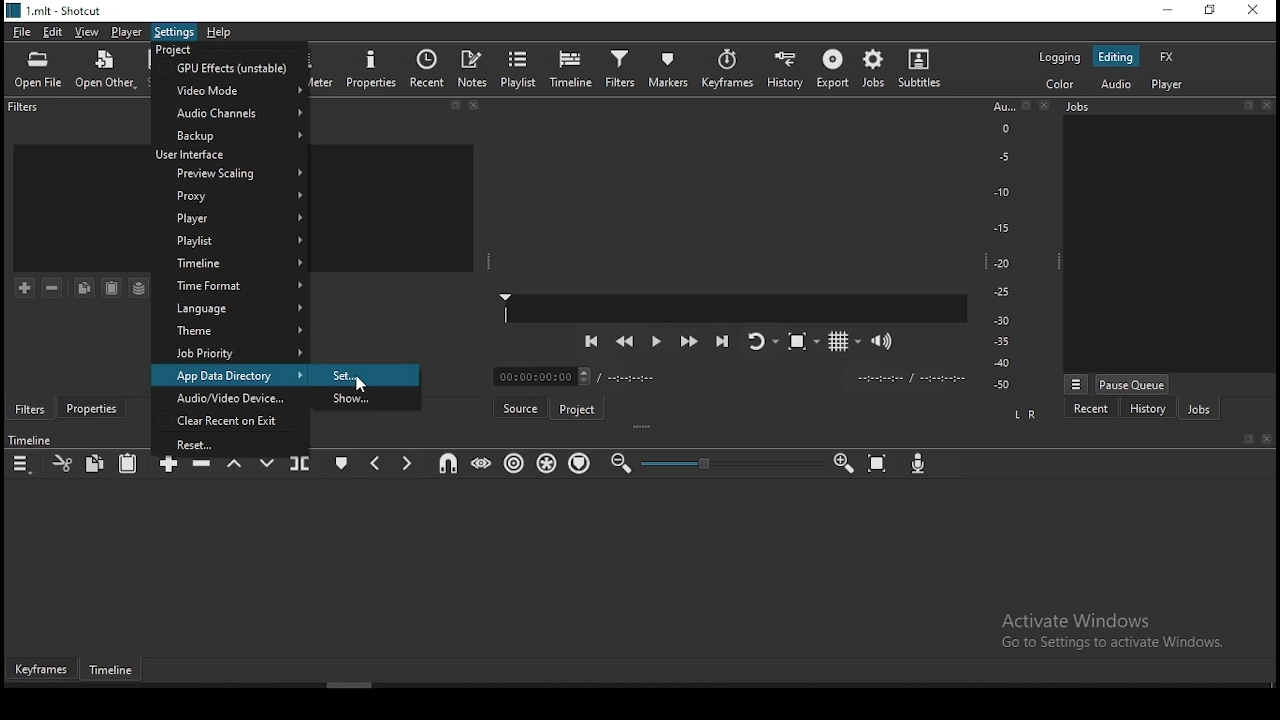 The width and height of the screenshot is (1280, 720). Describe the element at coordinates (924, 68) in the screenshot. I see `subtitles` at that location.